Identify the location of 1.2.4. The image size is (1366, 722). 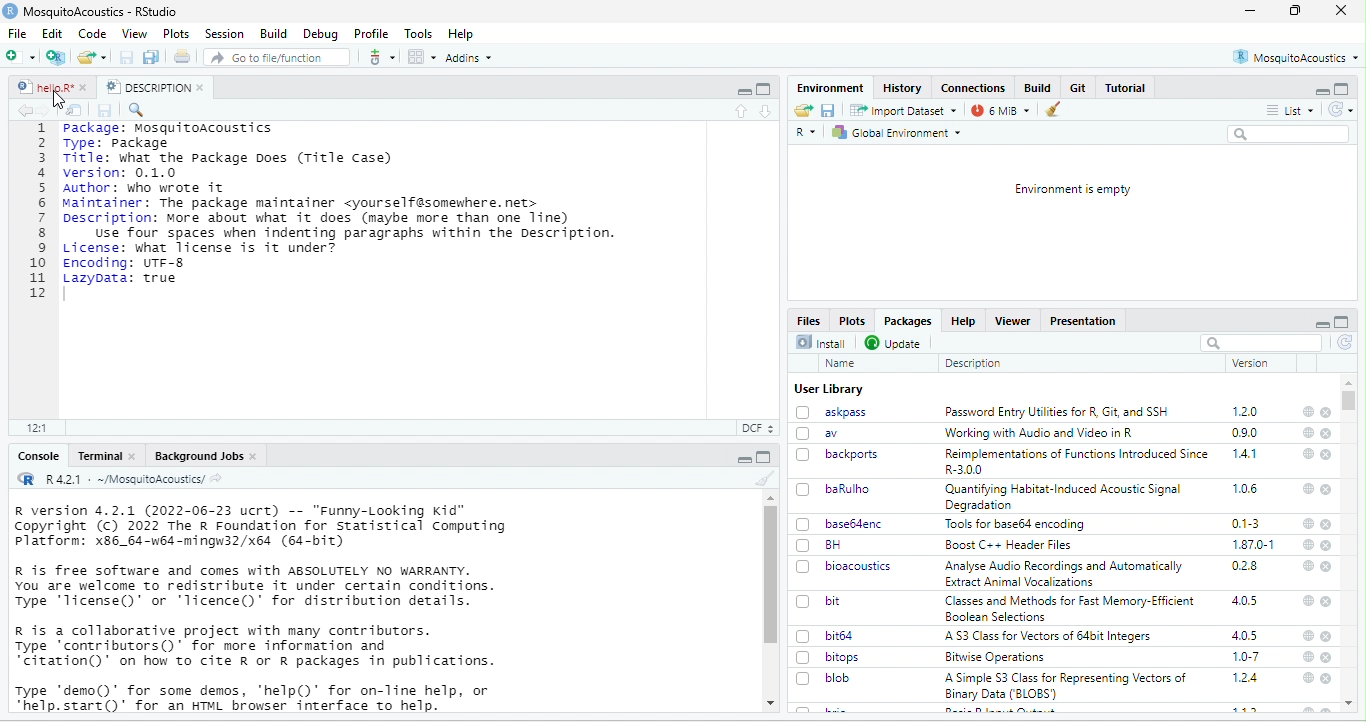
(1247, 678).